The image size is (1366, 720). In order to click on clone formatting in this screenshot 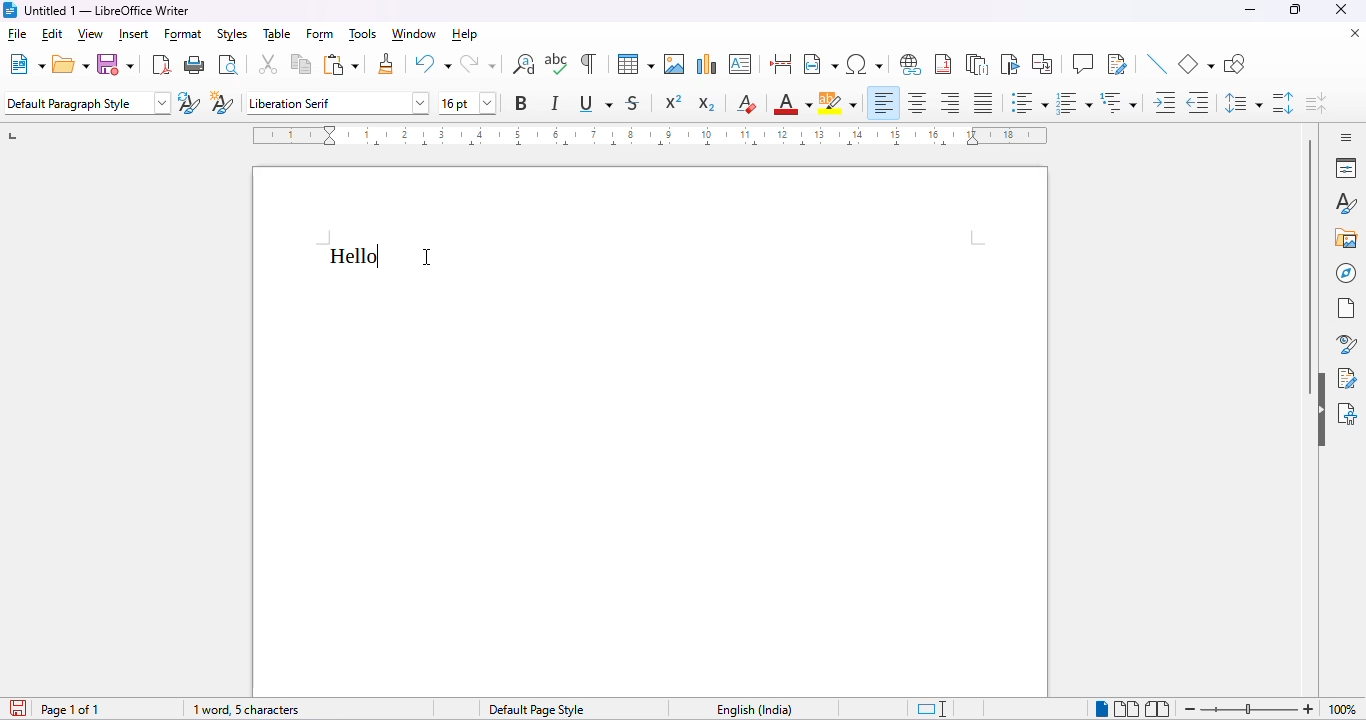, I will do `click(387, 64)`.